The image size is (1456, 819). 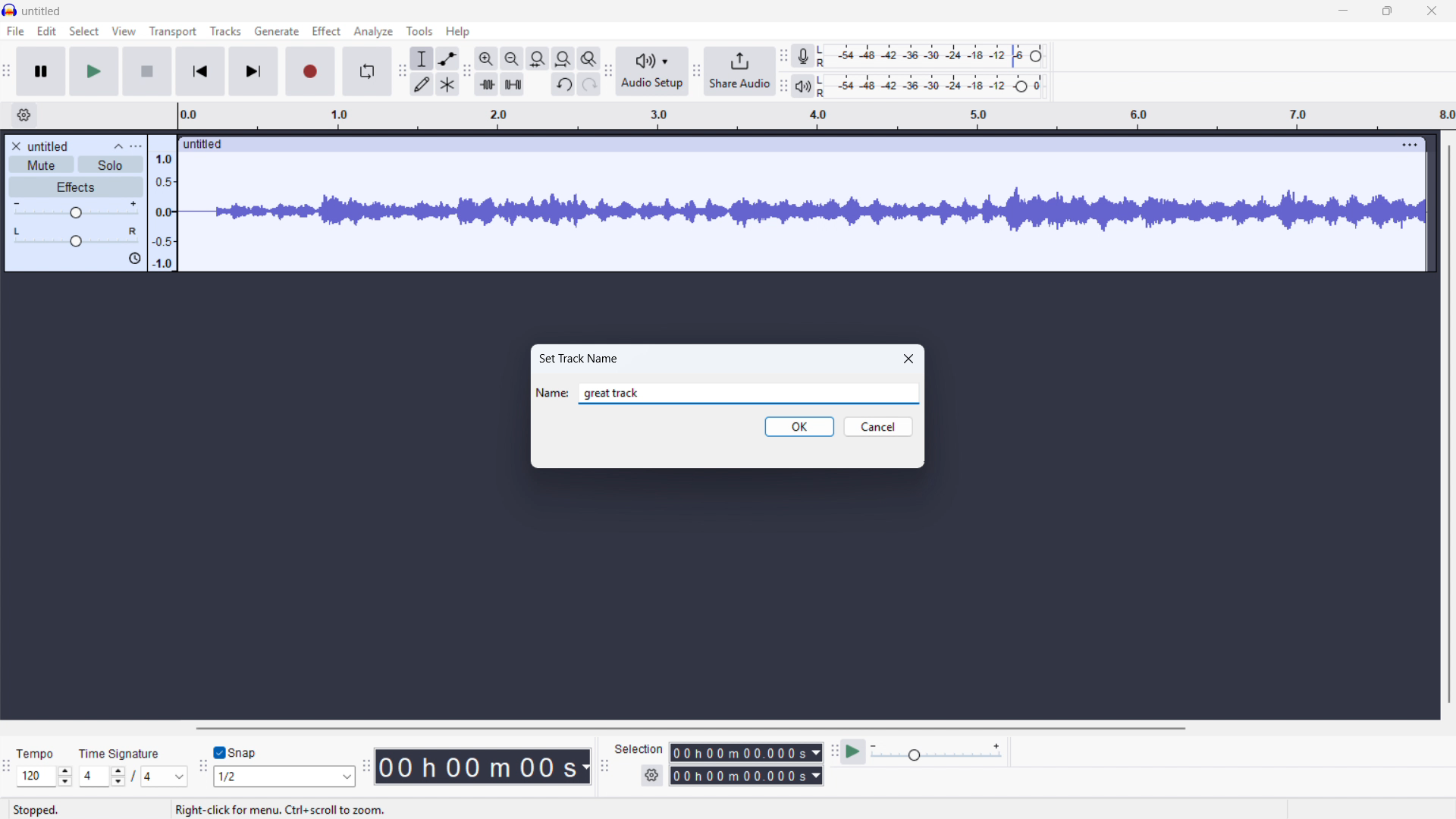 I want to click on maximise, so click(x=1389, y=11).